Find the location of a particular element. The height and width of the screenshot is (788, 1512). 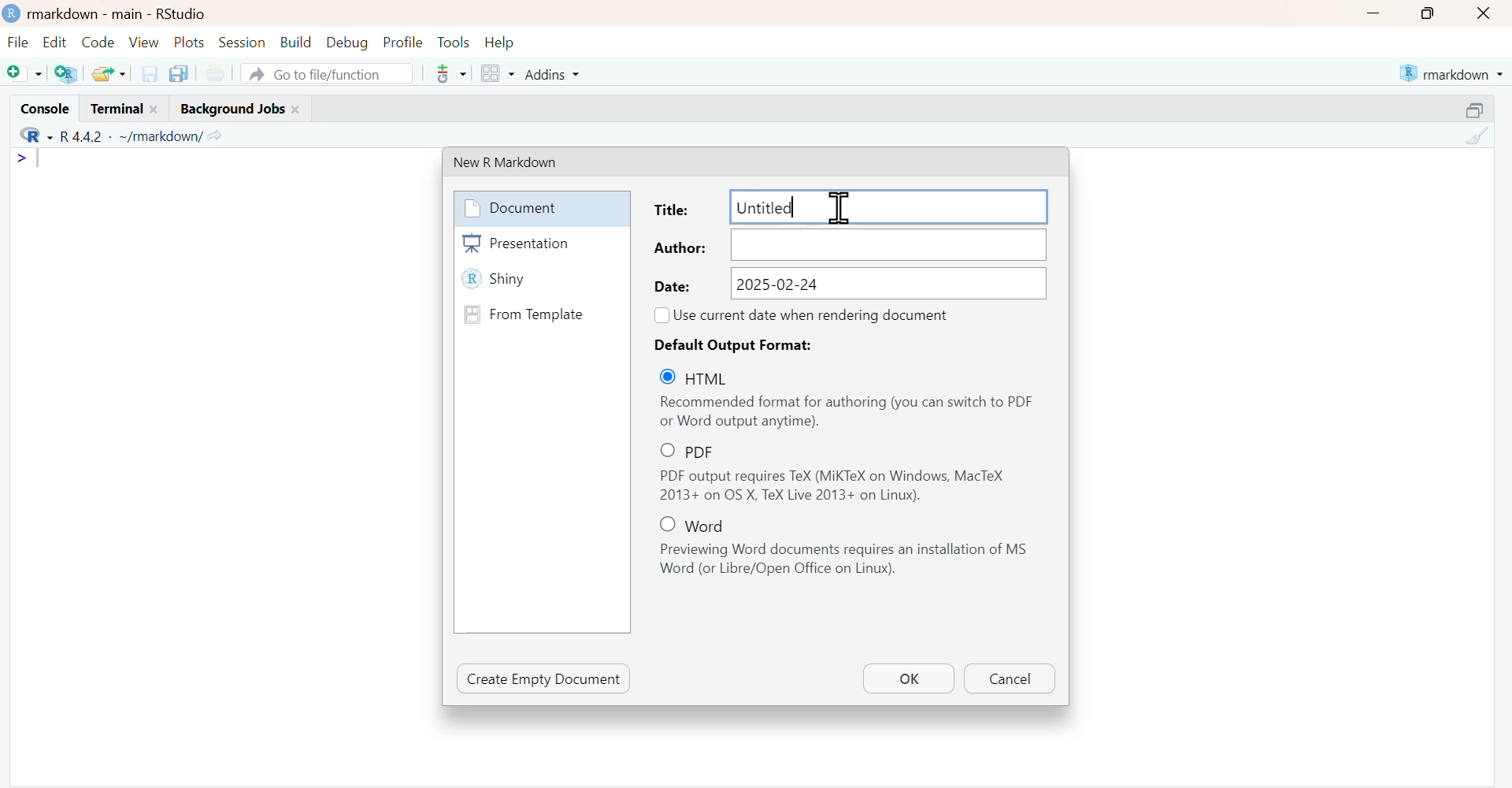

From Template is located at coordinates (540, 314).